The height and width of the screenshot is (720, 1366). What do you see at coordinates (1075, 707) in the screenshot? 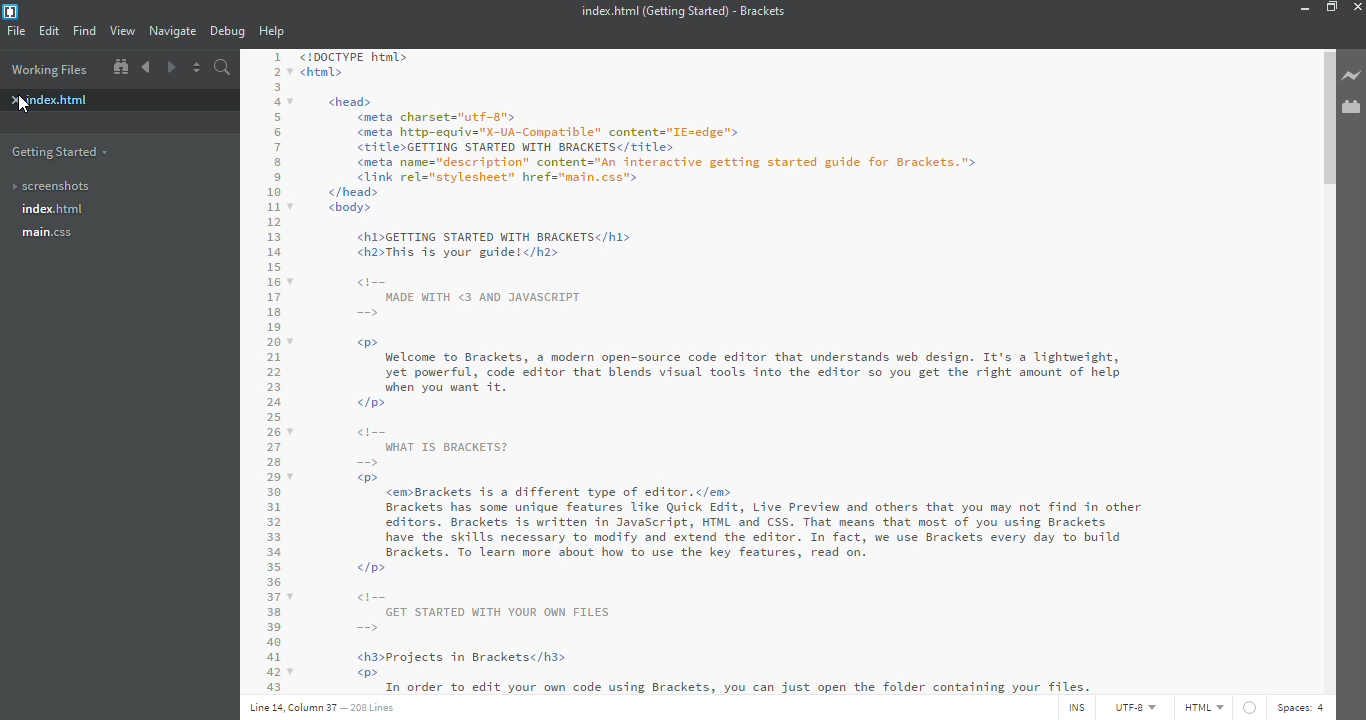
I see `ins` at bounding box center [1075, 707].